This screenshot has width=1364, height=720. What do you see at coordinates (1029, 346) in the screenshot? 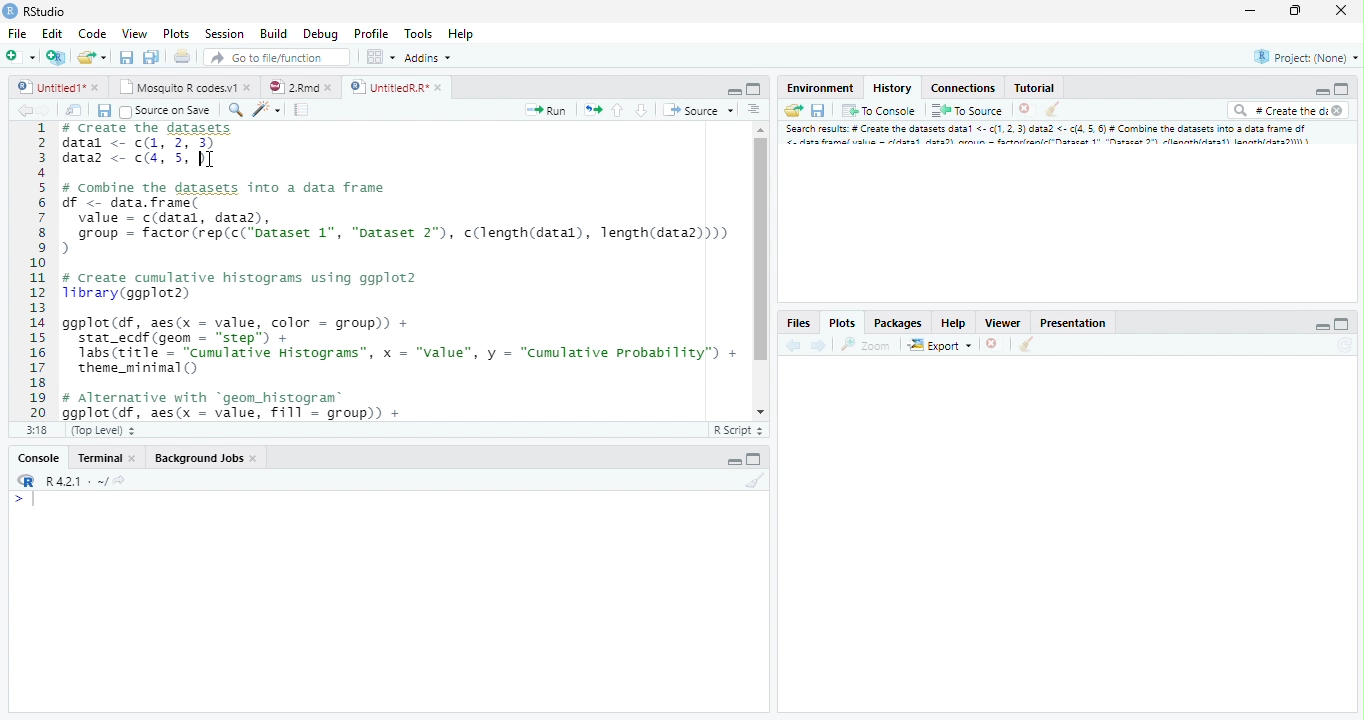
I see `Clear console` at bounding box center [1029, 346].